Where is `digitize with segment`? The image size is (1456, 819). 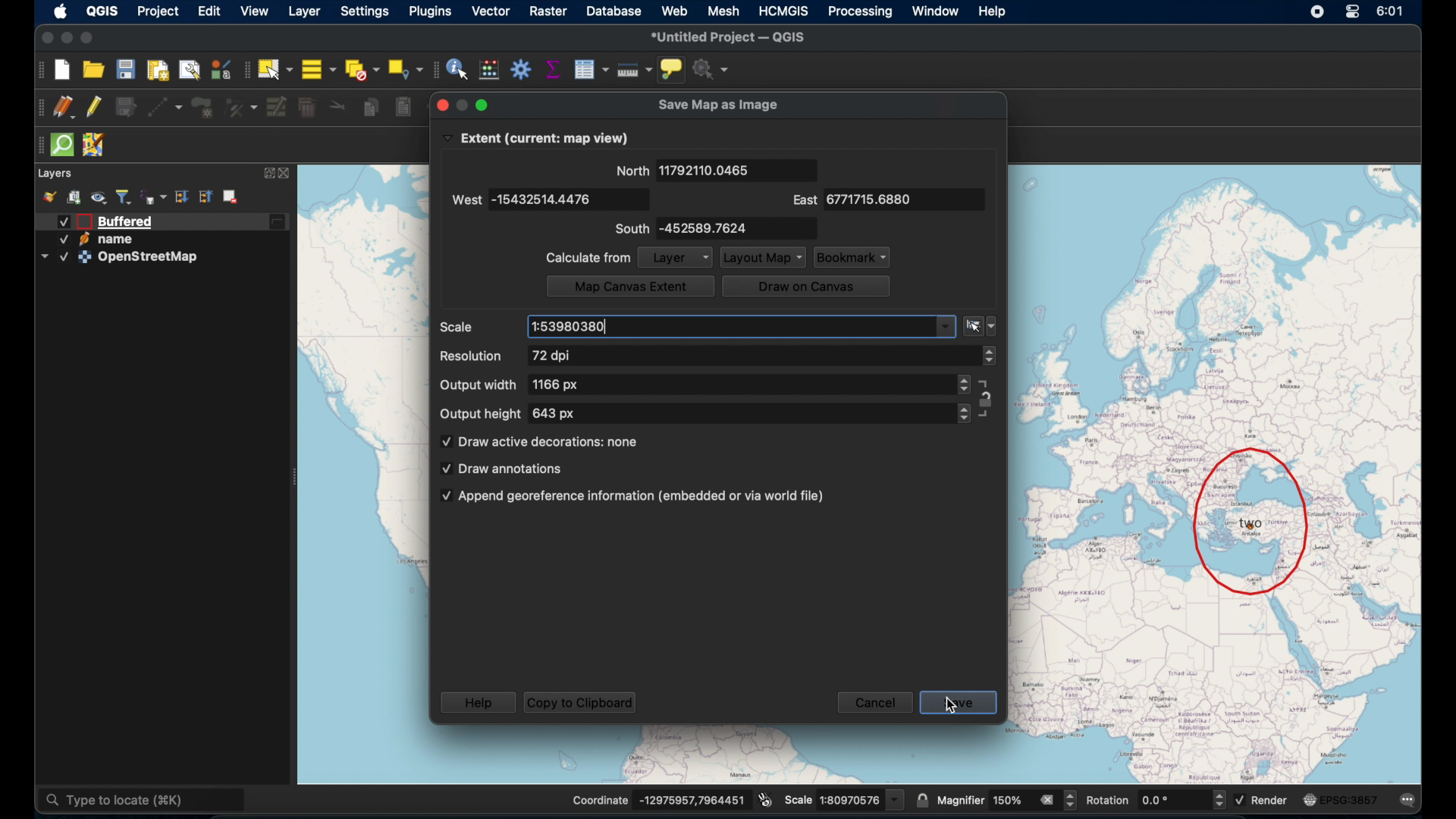 digitize with segment is located at coordinates (166, 106).